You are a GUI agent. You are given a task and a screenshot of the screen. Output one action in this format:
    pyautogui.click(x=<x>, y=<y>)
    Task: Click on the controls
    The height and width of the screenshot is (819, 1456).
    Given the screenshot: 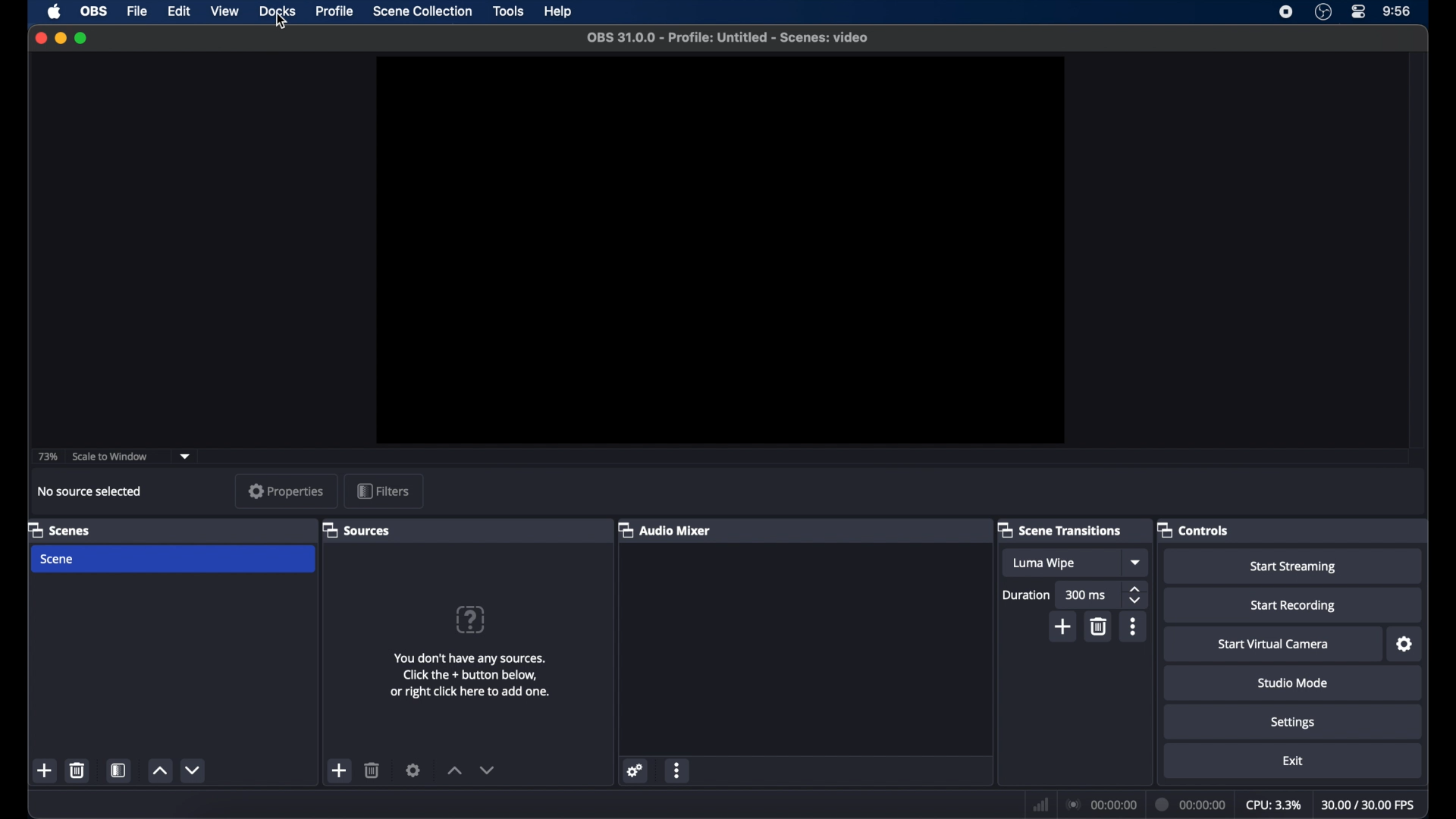 What is the action you would take?
    pyautogui.click(x=1197, y=529)
    